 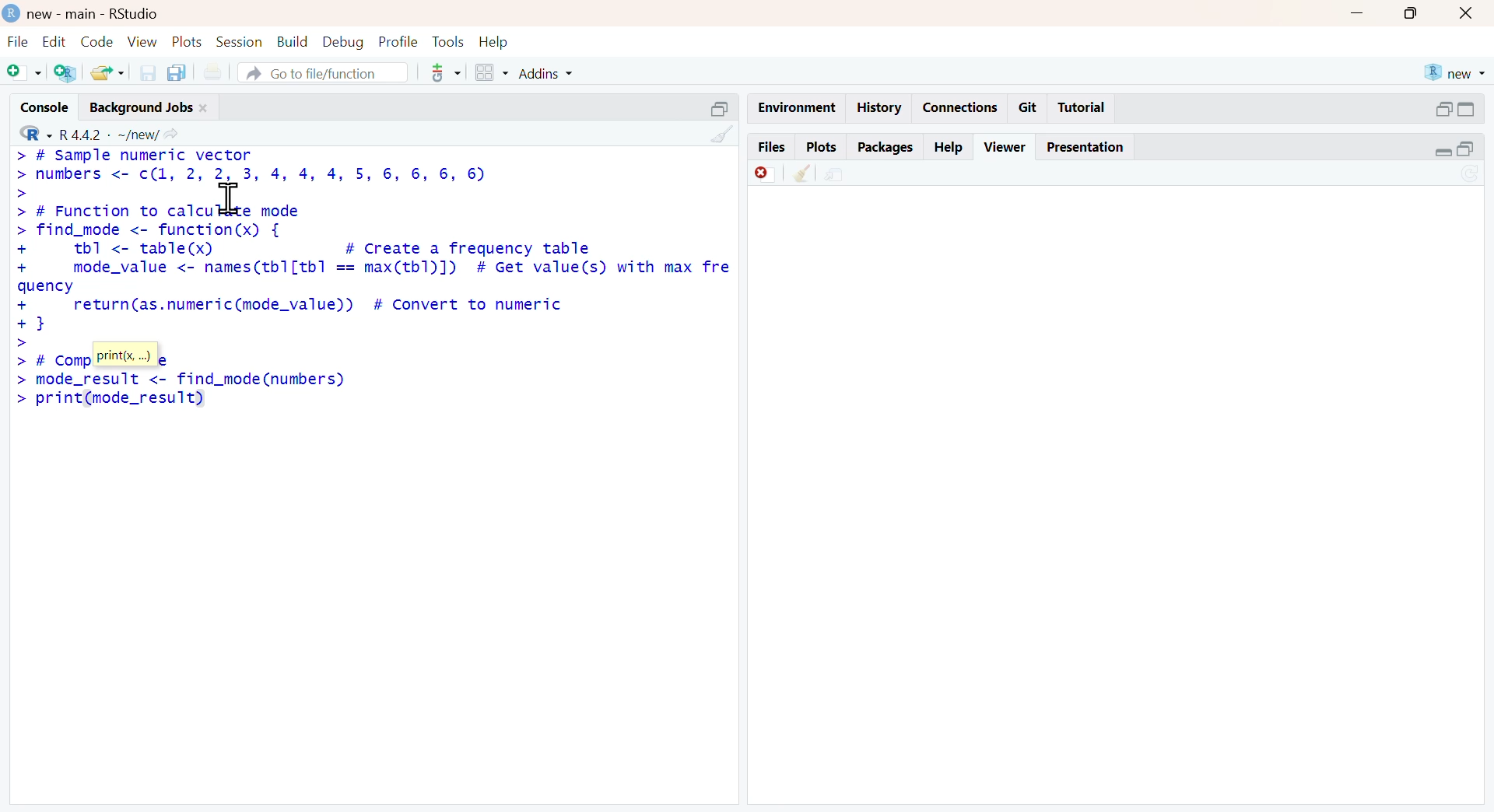 I want to click on minimise, so click(x=1357, y=14).